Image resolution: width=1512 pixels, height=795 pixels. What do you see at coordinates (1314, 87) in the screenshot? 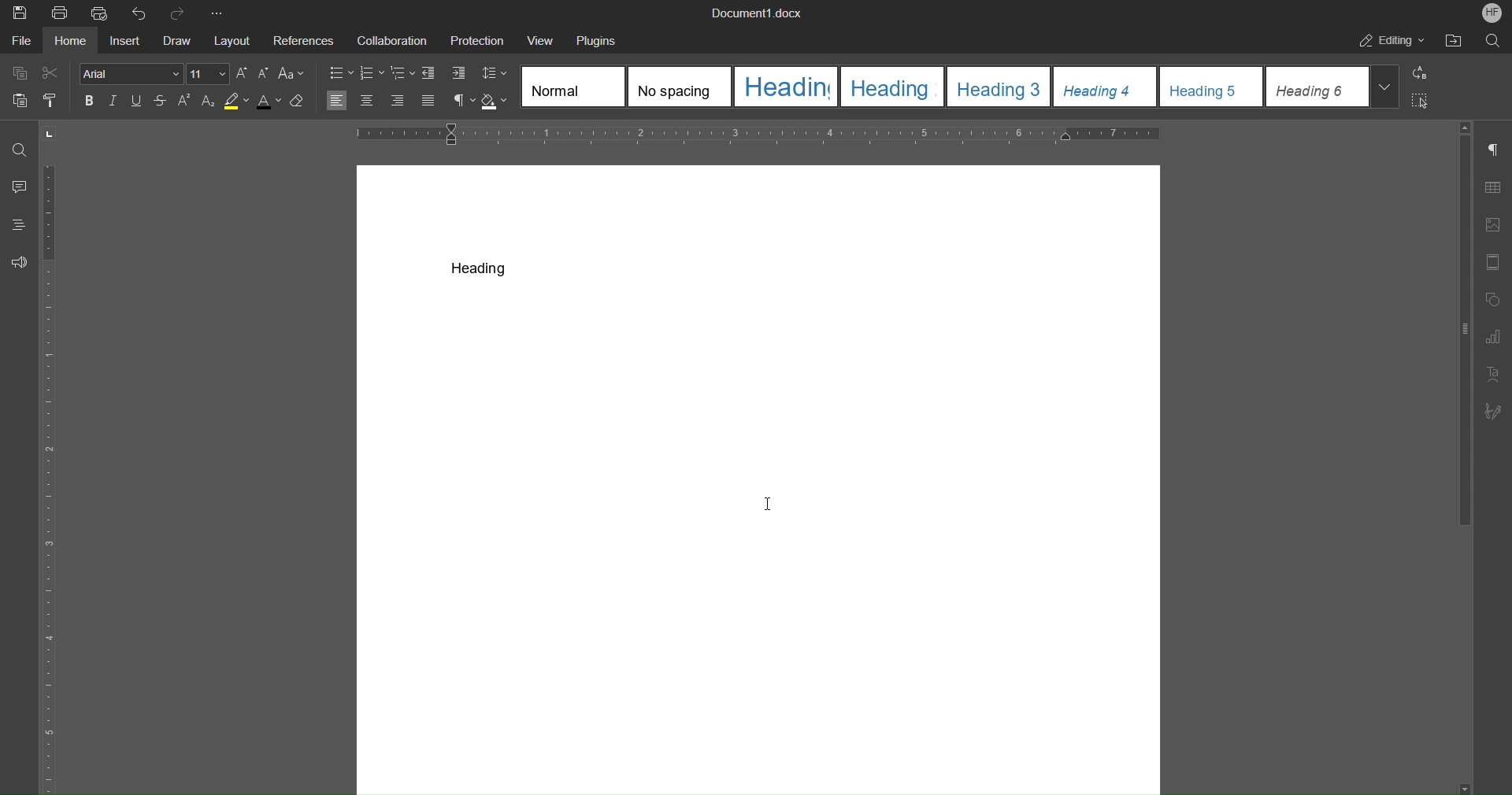
I see `Heading 6` at bounding box center [1314, 87].